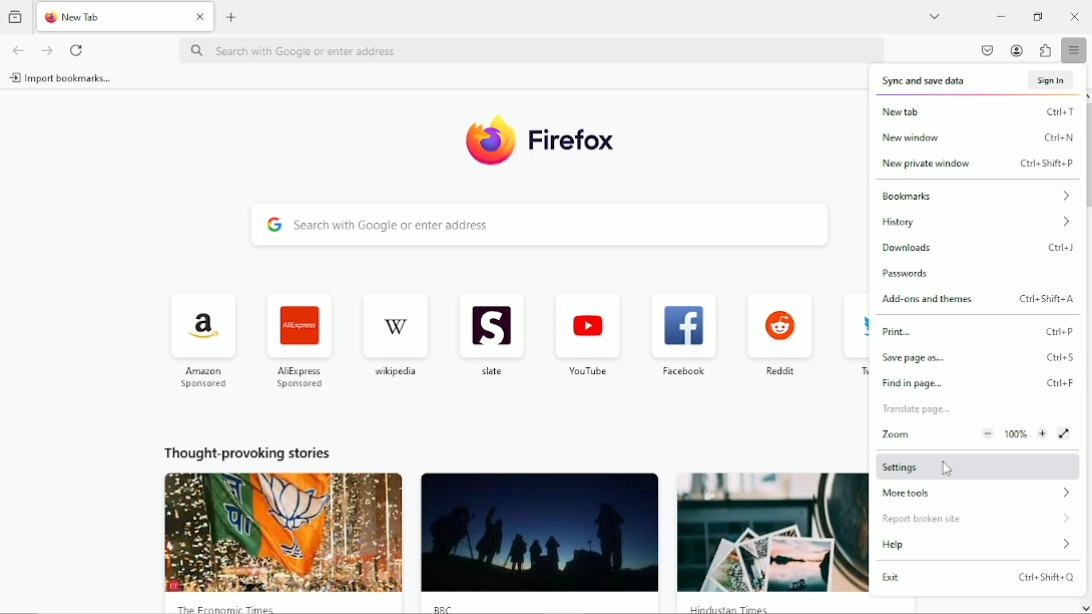  Describe the element at coordinates (1039, 14) in the screenshot. I see `restore down` at that location.